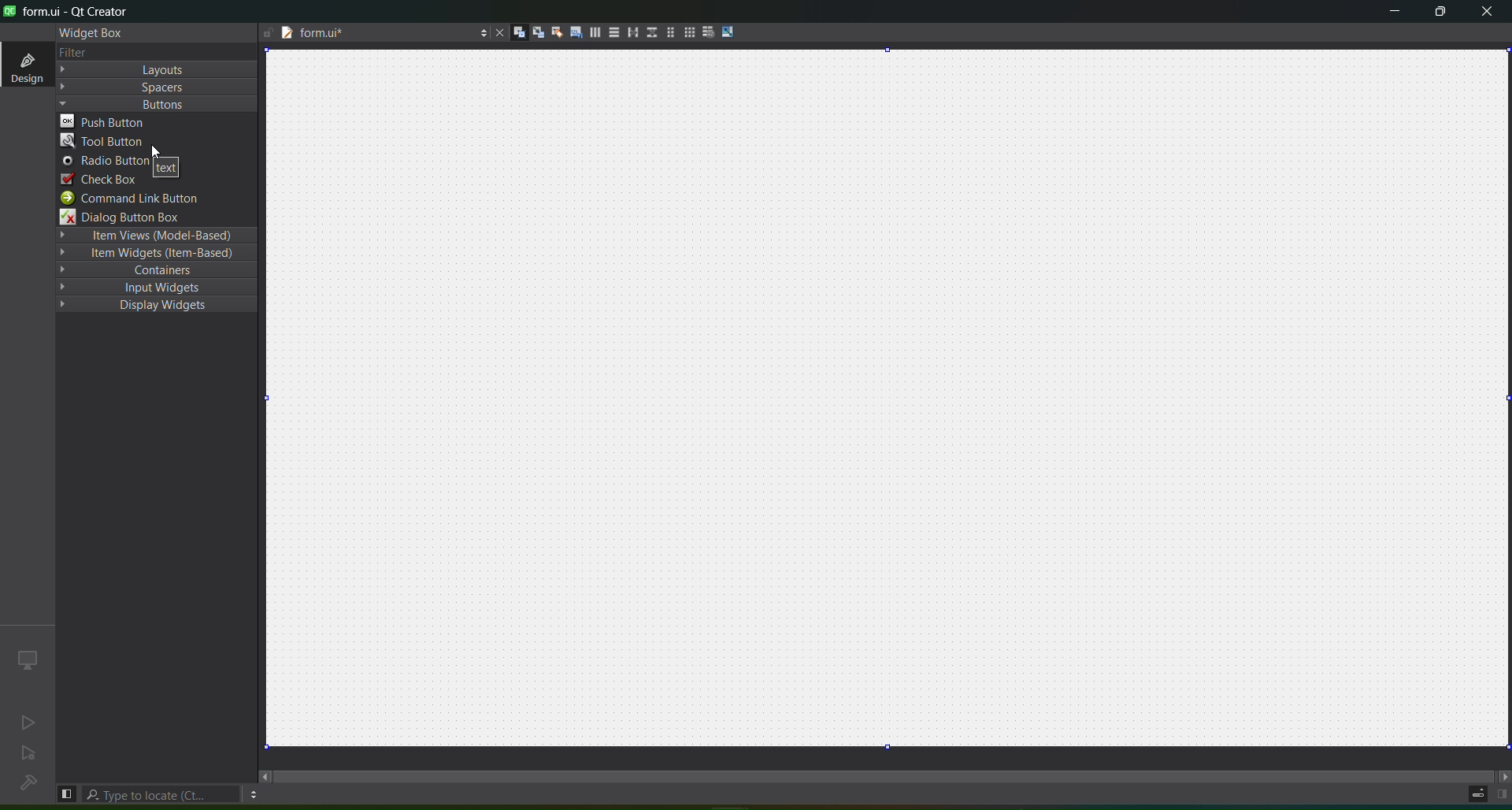 This screenshot has height=810, width=1512. Describe the element at coordinates (1438, 13) in the screenshot. I see `maximize` at that location.